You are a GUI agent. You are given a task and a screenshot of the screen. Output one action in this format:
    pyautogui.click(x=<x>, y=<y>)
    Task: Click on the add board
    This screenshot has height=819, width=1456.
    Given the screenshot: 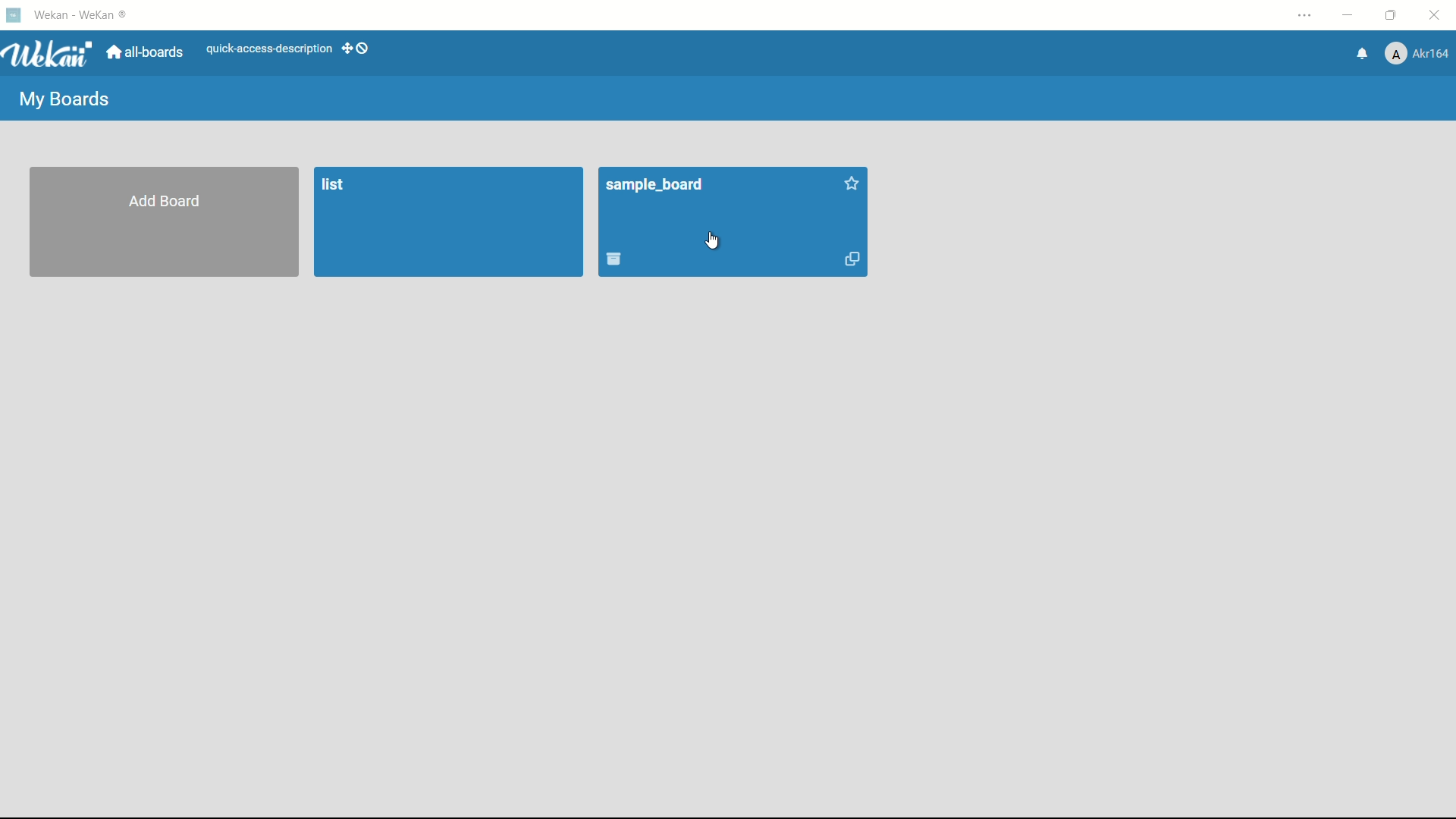 What is the action you would take?
    pyautogui.click(x=165, y=221)
    